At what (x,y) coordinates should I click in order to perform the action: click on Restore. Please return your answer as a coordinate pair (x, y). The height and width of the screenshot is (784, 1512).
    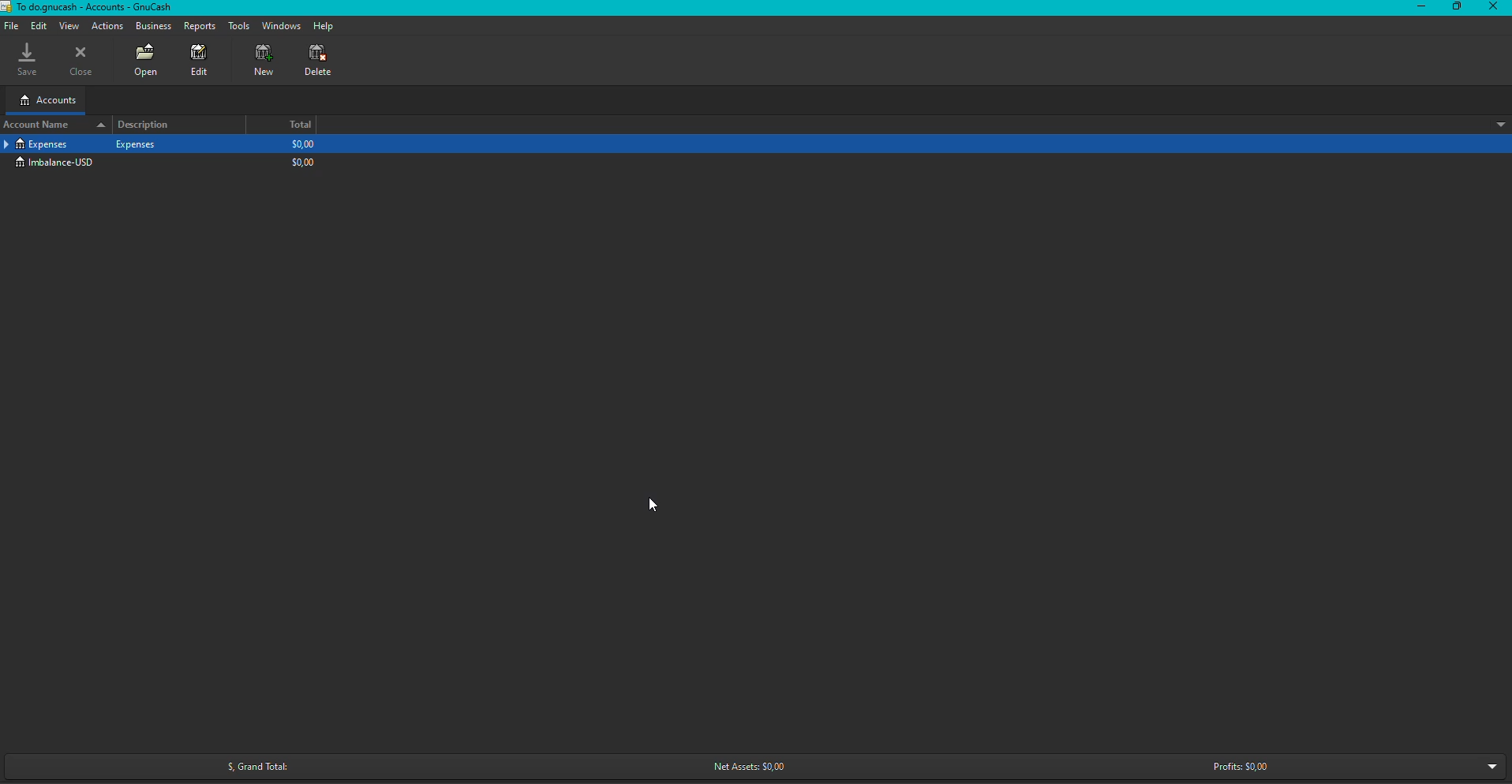
    Looking at the image, I should click on (1453, 7).